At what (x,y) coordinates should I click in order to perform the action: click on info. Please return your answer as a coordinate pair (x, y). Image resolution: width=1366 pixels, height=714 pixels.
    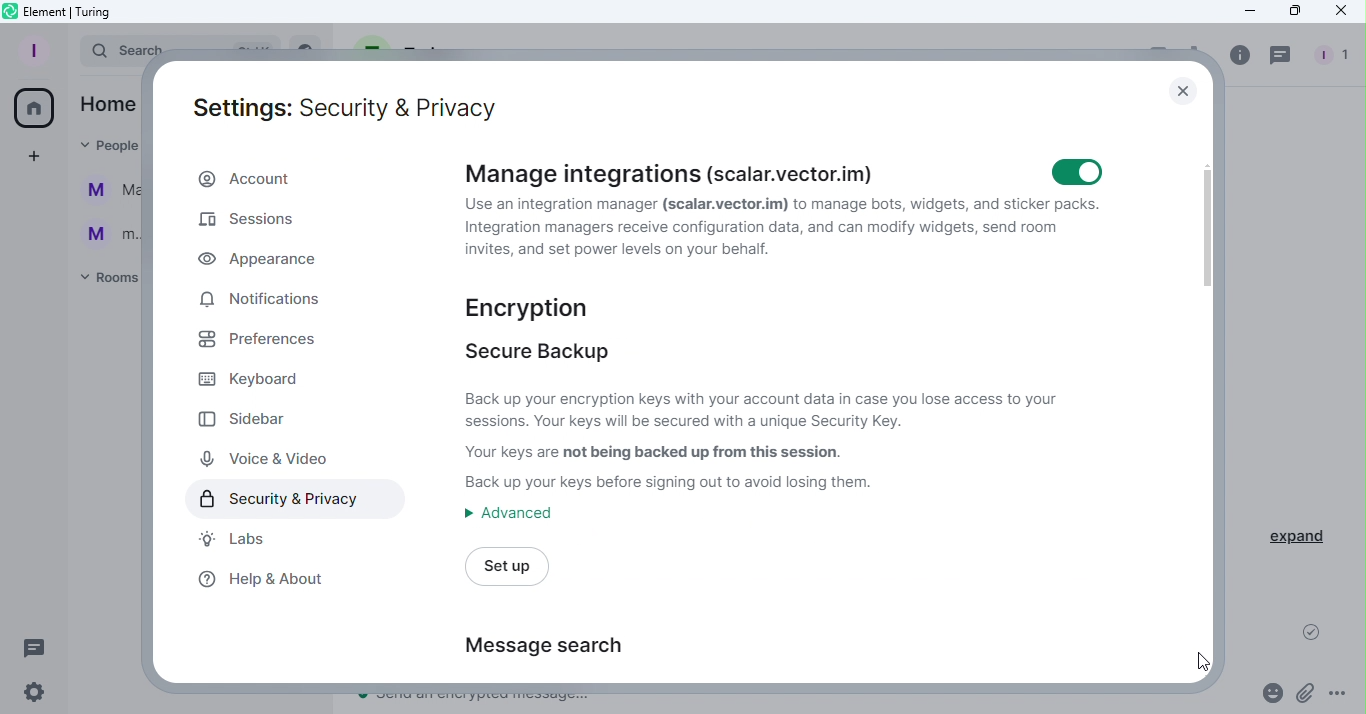
    Looking at the image, I should click on (1235, 55).